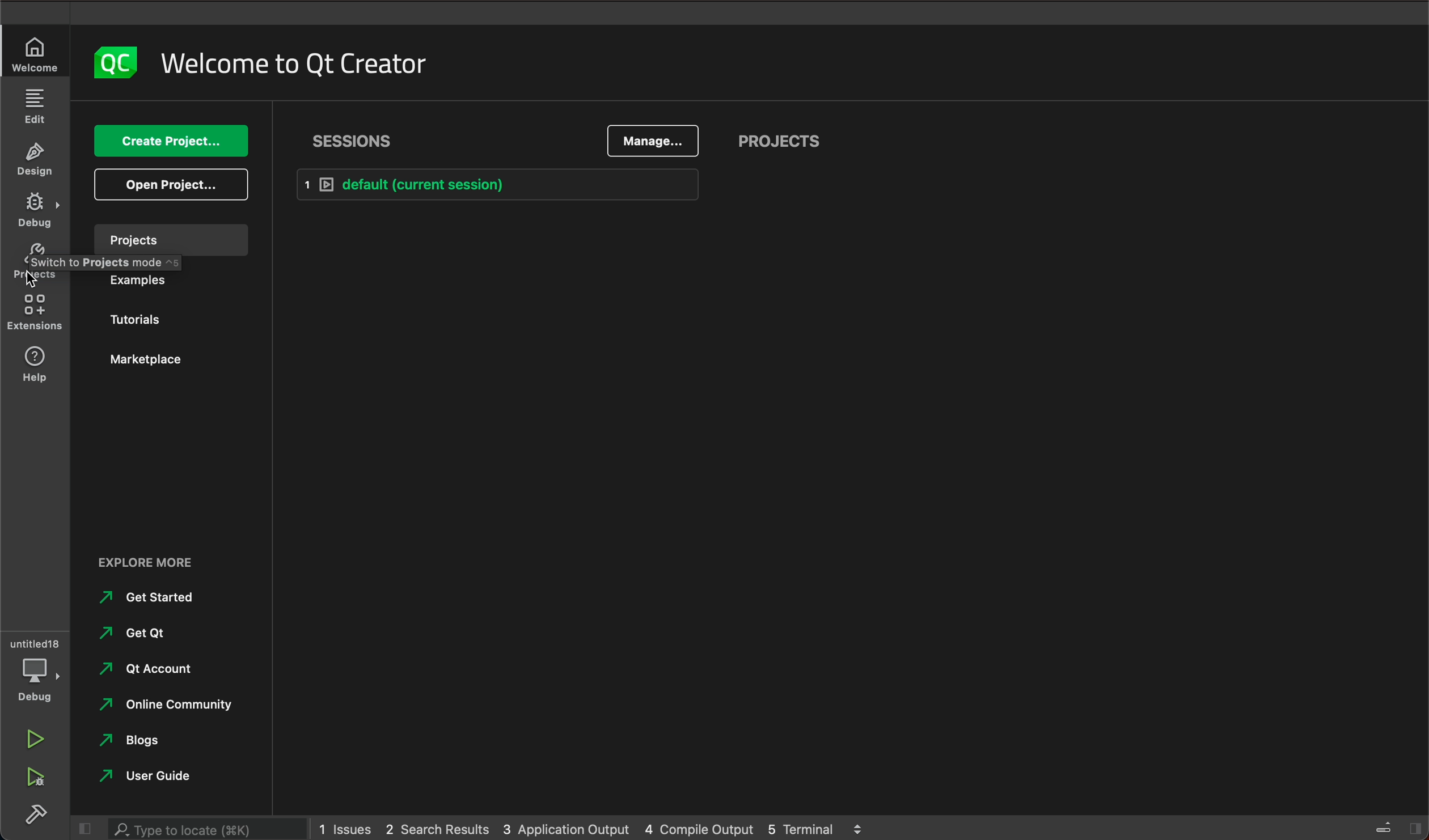 The image size is (1429, 840). Describe the element at coordinates (141, 321) in the screenshot. I see `tutorials` at that location.